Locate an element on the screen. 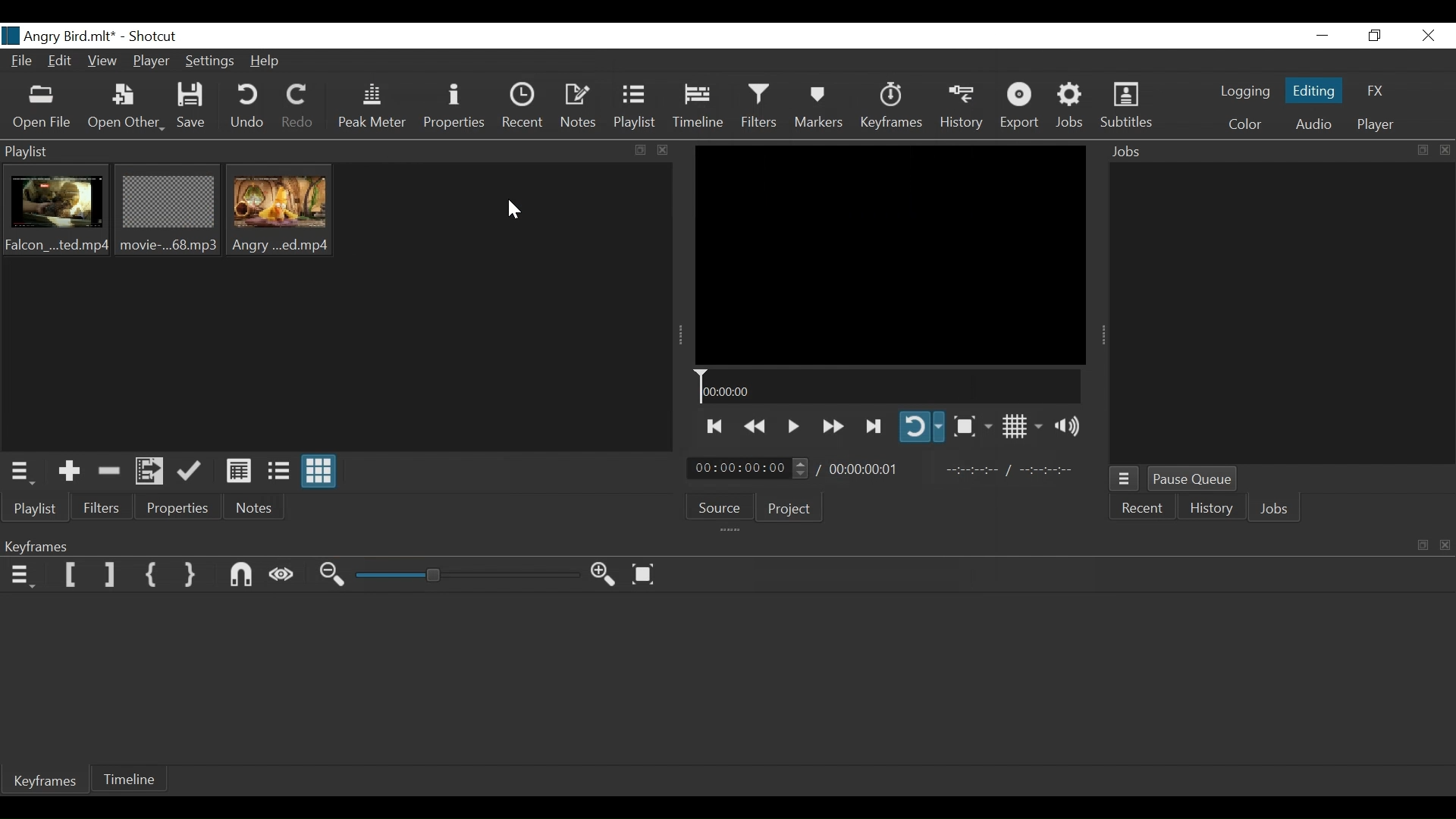  Properties is located at coordinates (177, 510).